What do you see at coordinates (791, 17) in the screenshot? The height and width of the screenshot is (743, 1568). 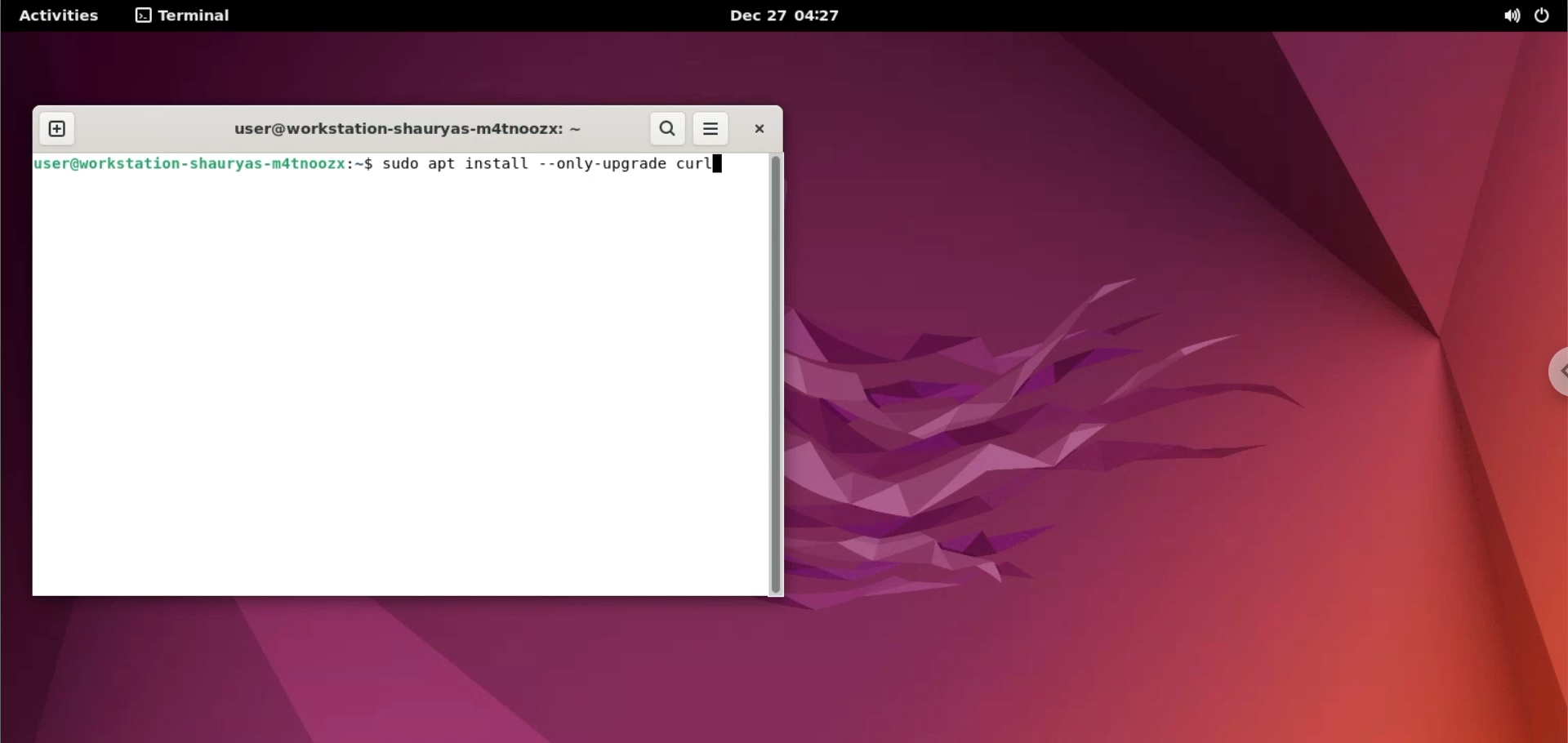 I see `Dec 27 04:27` at bounding box center [791, 17].